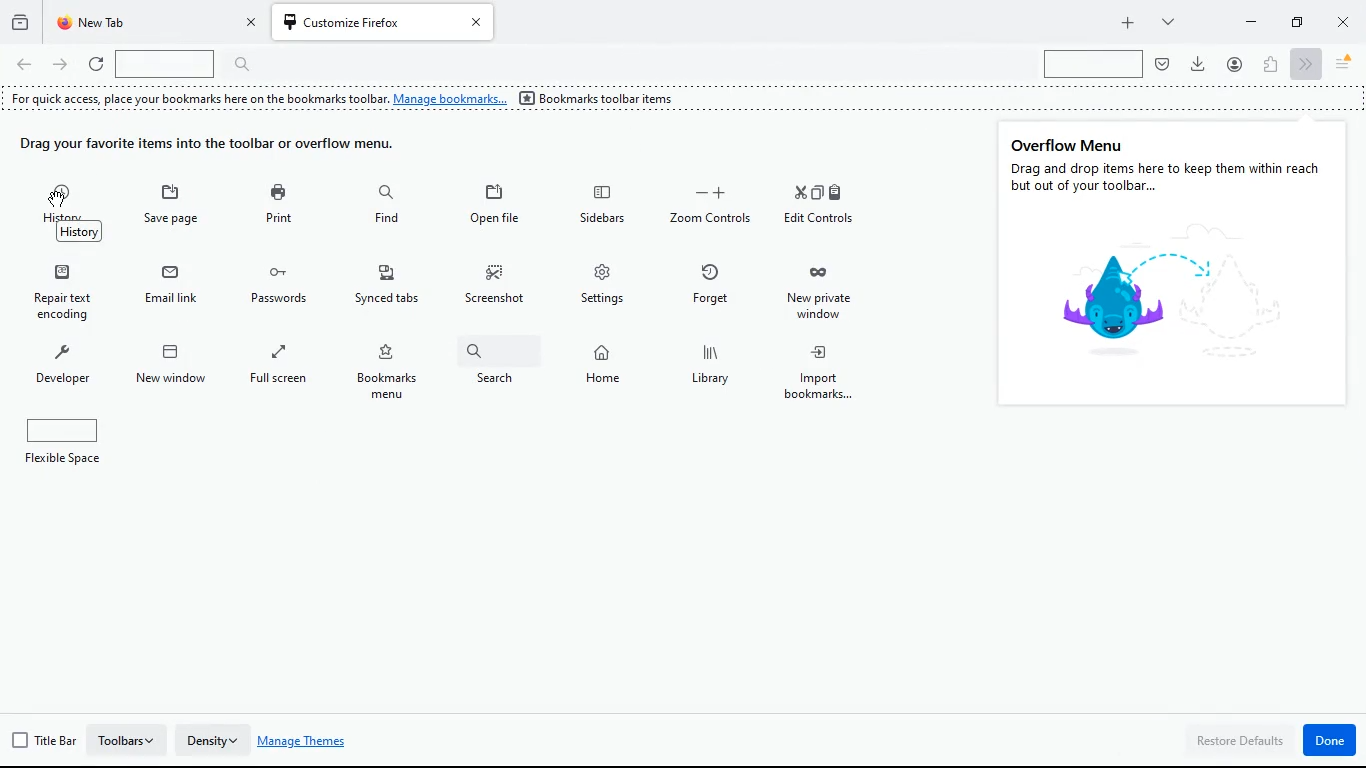 This screenshot has height=768, width=1366. What do you see at coordinates (129, 739) in the screenshot?
I see `toolbars` at bounding box center [129, 739].